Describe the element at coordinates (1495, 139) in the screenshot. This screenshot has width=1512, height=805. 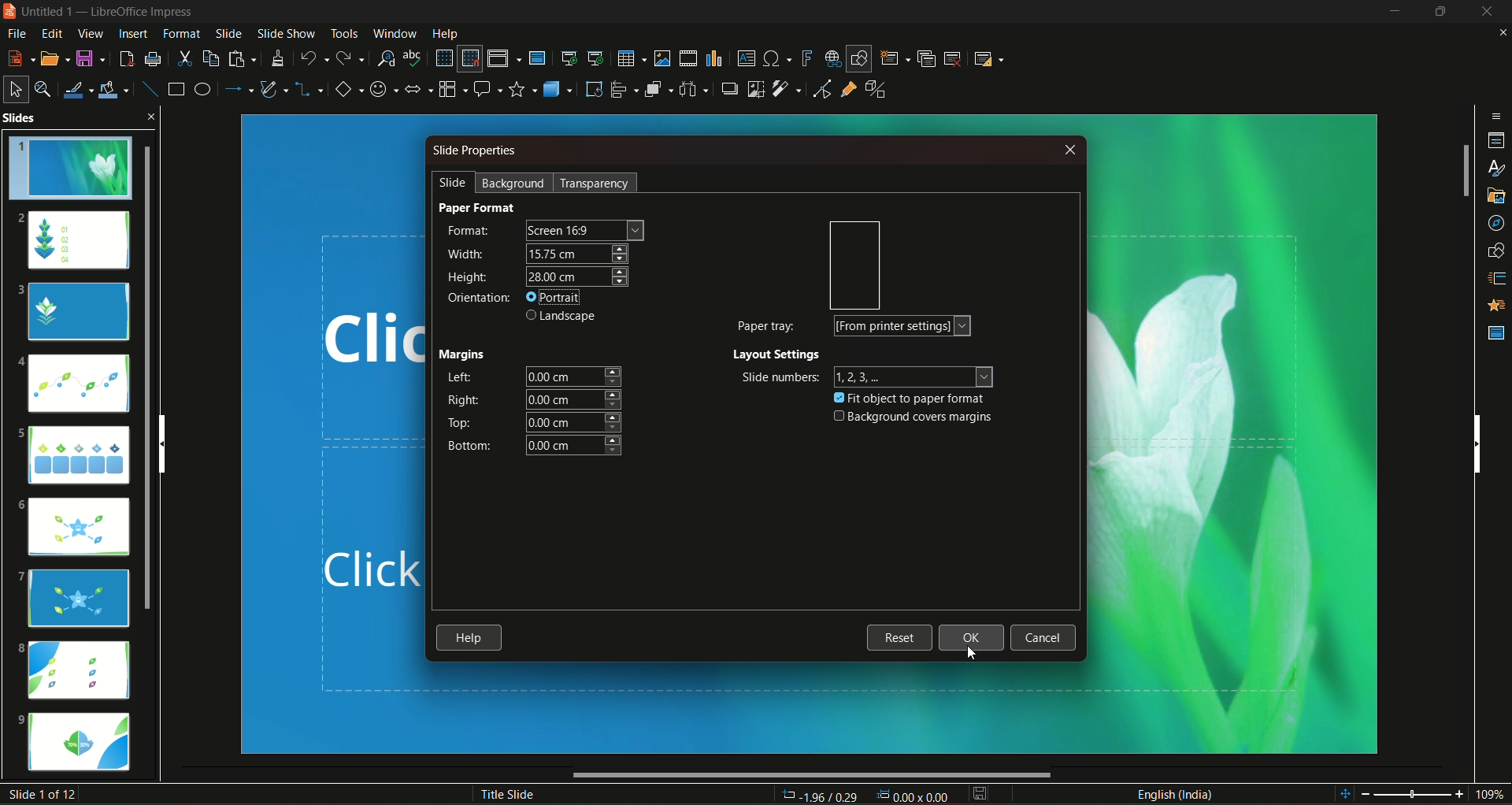
I see `properties` at that location.